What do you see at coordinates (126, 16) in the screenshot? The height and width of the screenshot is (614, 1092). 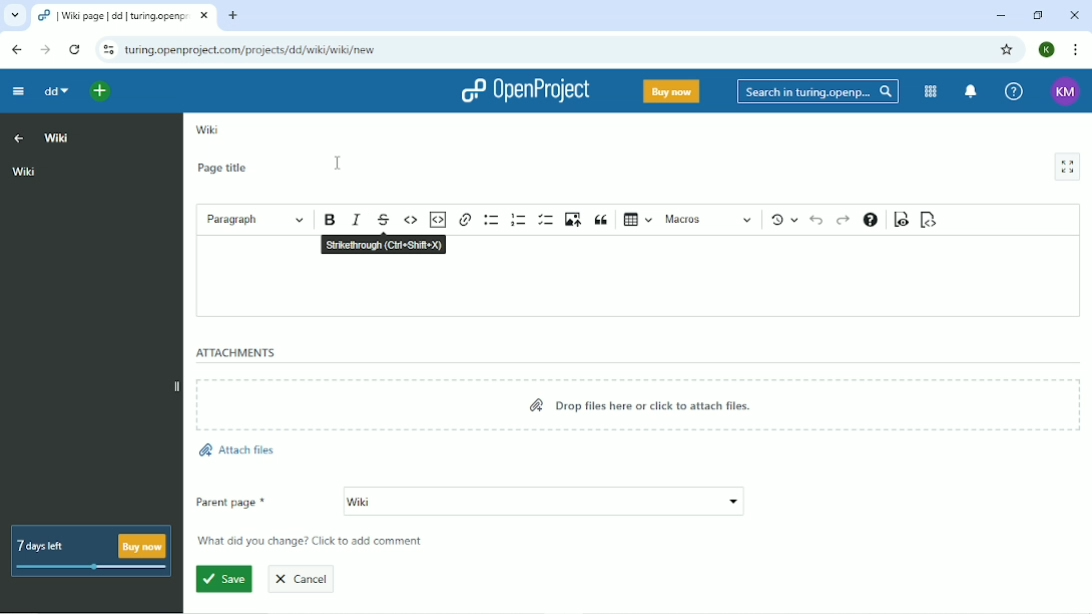 I see `Current tab` at bounding box center [126, 16].